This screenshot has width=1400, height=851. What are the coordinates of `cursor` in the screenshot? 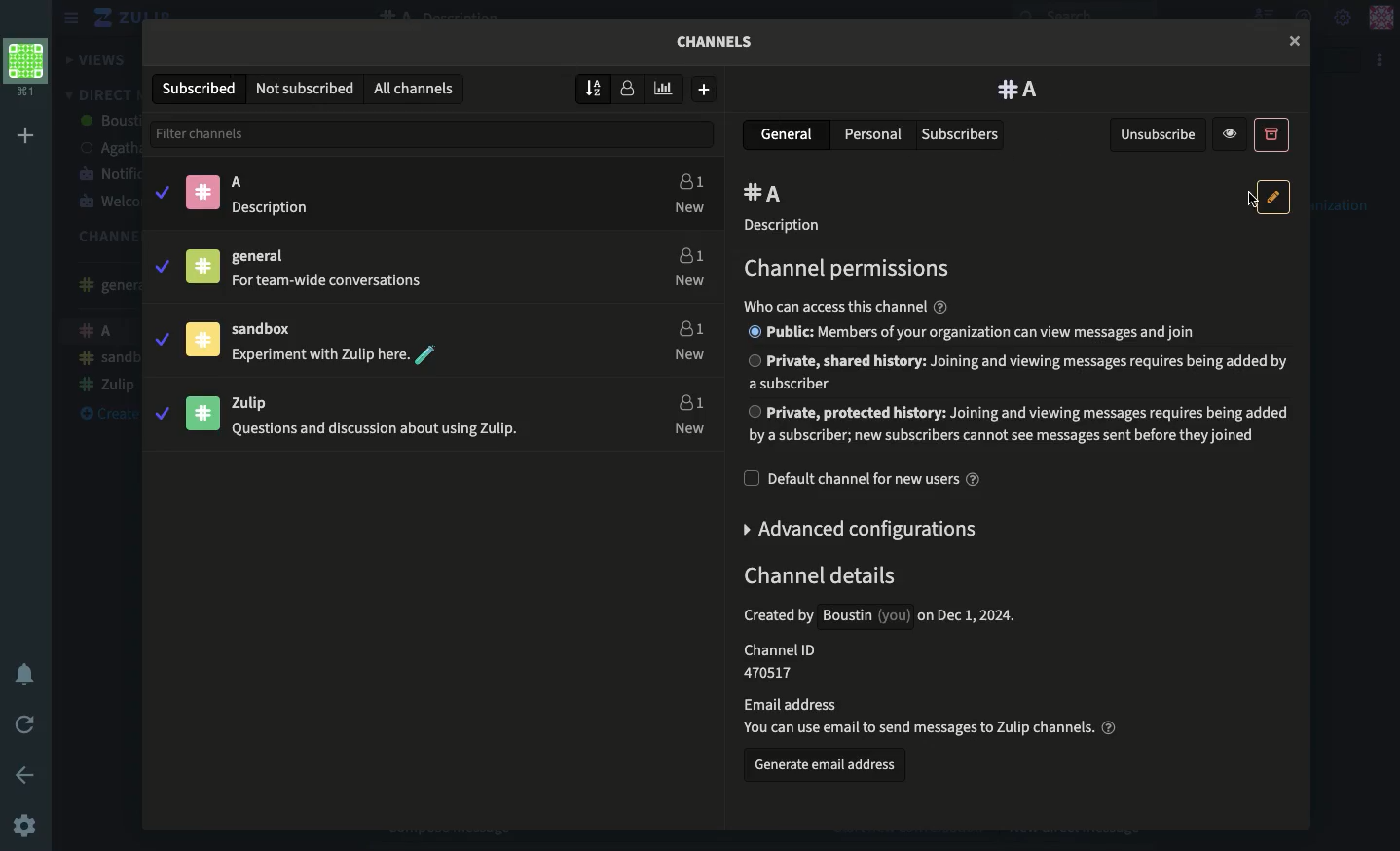 It's located at (1294, 41).